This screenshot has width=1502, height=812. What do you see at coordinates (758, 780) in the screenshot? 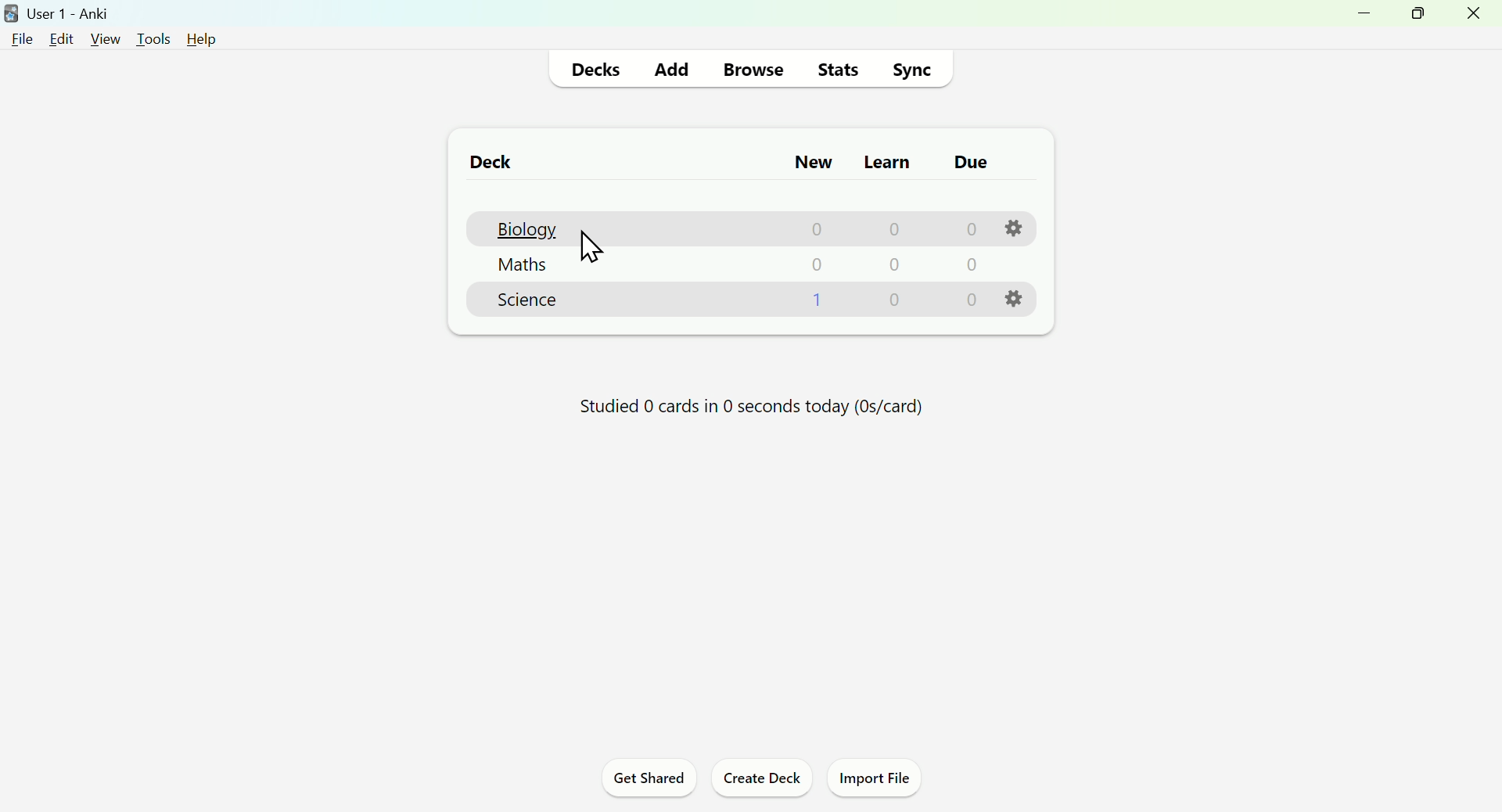
I see `Create Deck` at bounding box center [758, 780].